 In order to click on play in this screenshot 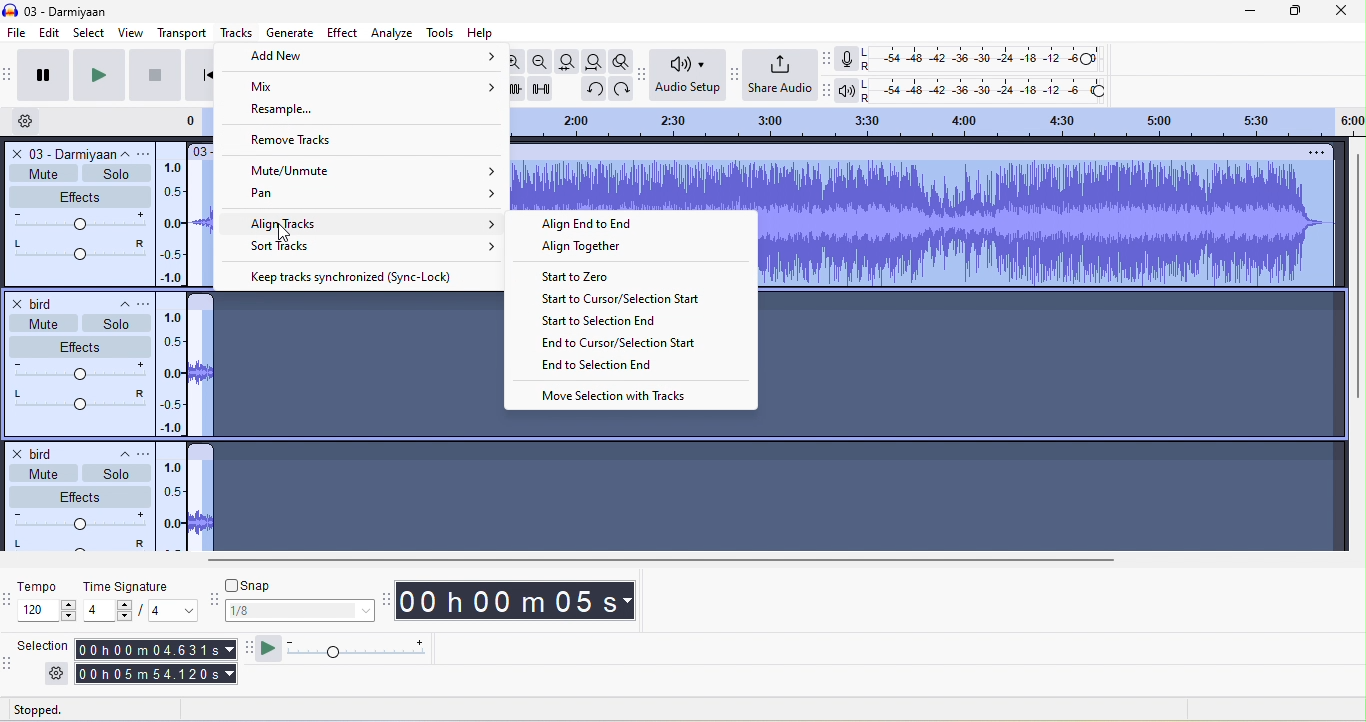, I will do `click(96, 76)`.